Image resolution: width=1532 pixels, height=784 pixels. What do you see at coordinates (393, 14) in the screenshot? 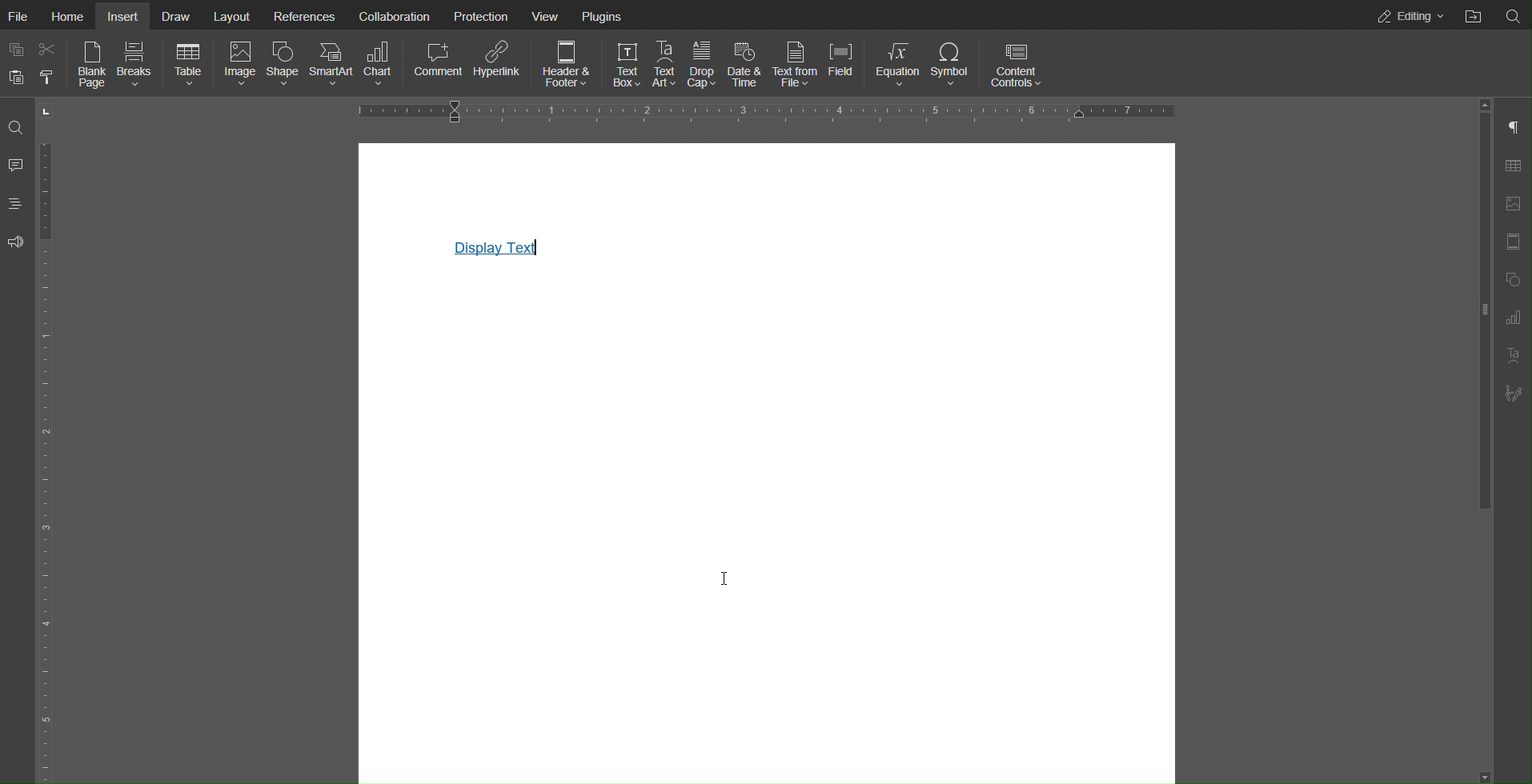
I see `Collaboration` at bounding box center [393, 14].